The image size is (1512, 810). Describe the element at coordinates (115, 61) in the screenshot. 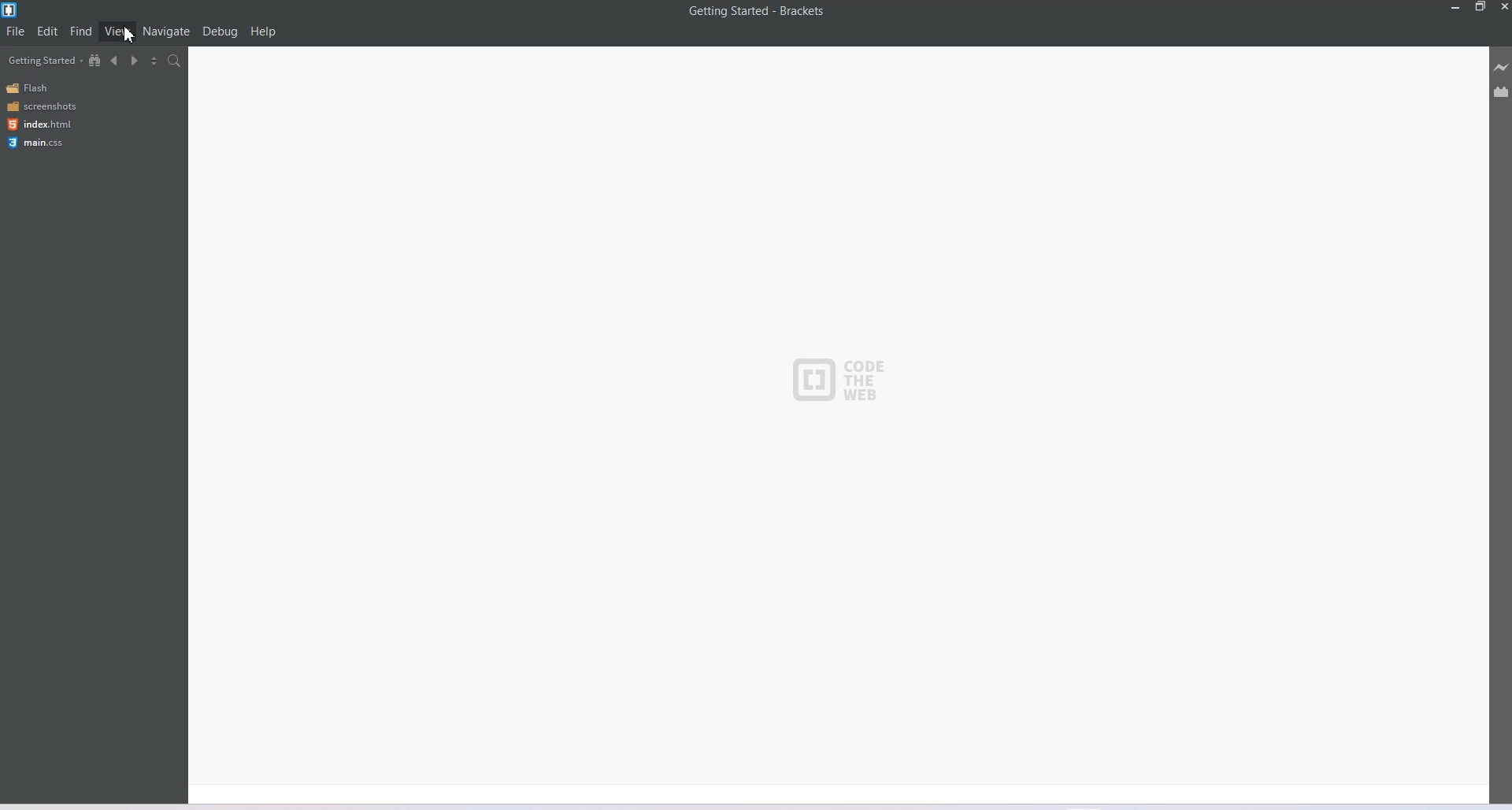

I see `Navigate Backwards` at that location.